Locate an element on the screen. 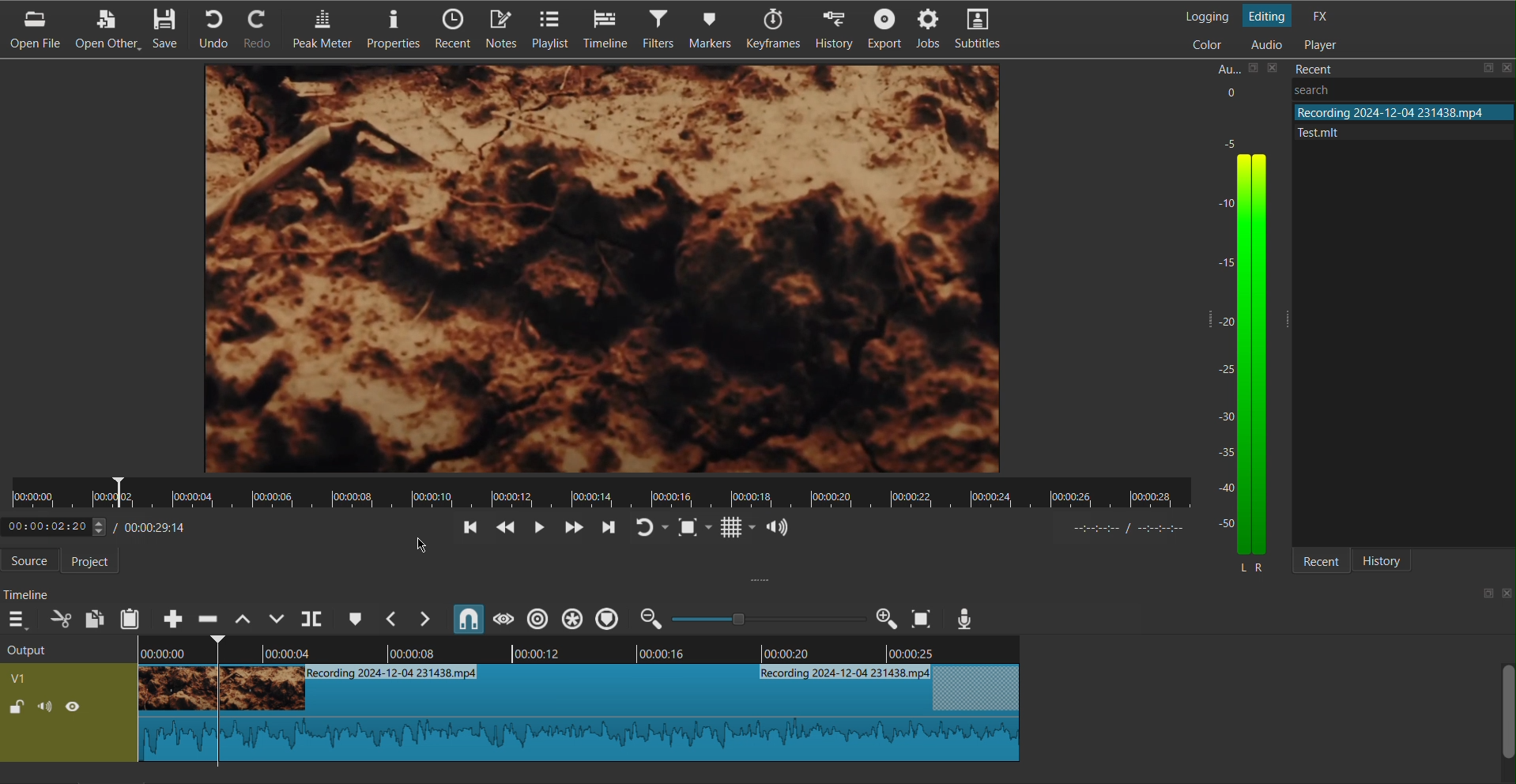 This screenshot has width=1516, height=784. Ripple is located at coordinates (539, 618).